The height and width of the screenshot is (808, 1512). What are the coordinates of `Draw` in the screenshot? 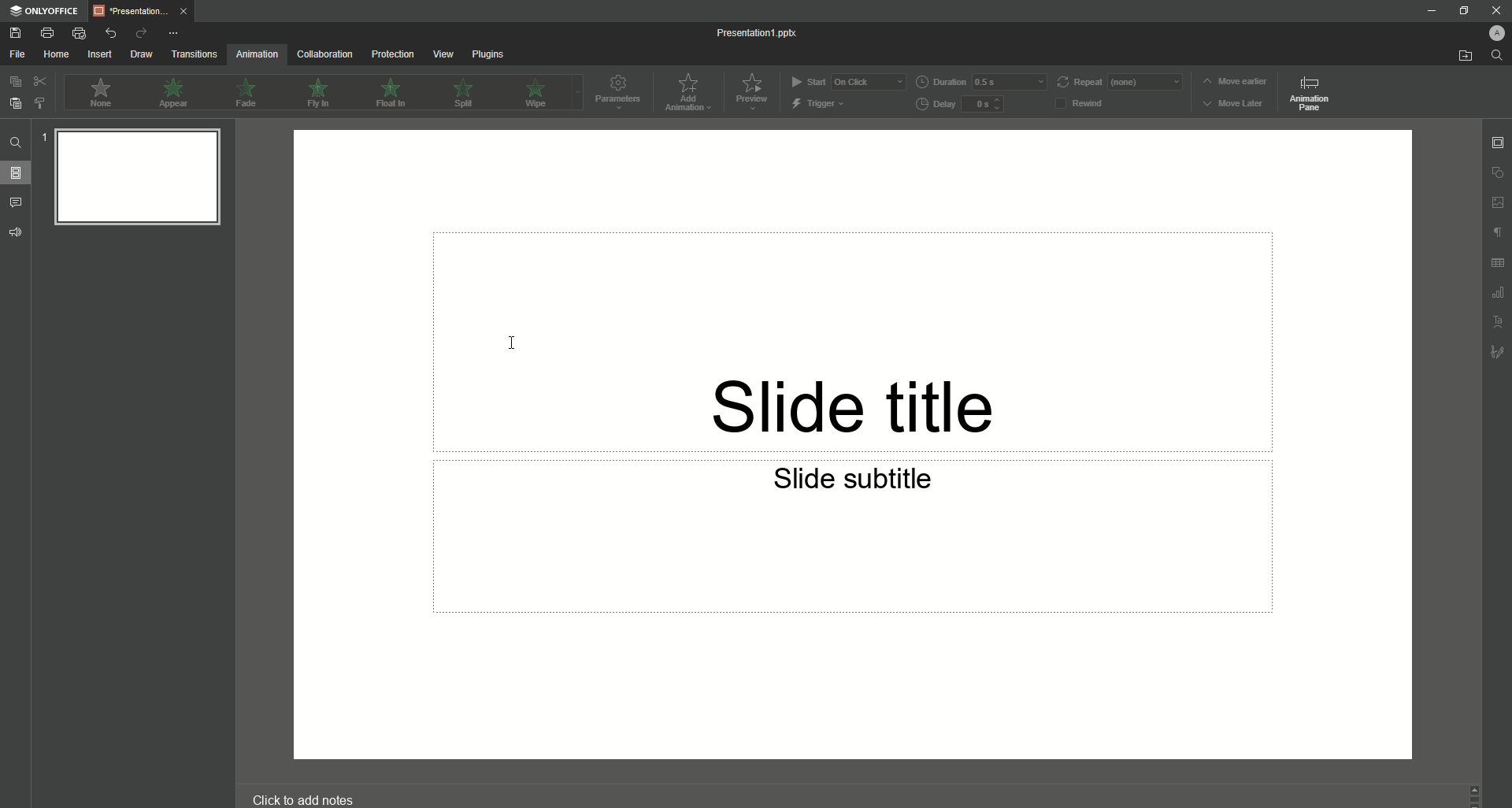 It's located at (139, 55).